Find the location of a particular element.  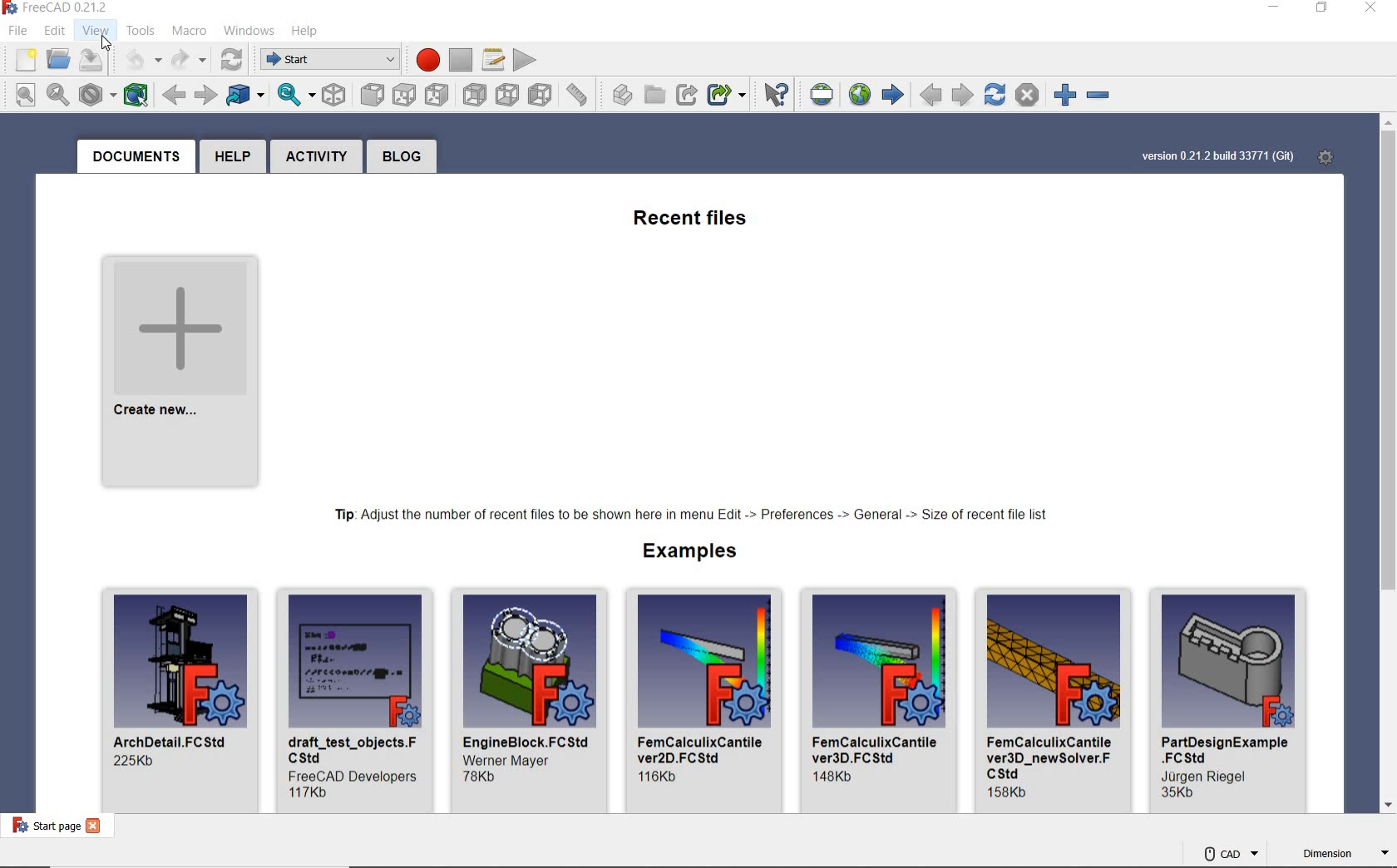

next page is located at coordinates (965, 93).